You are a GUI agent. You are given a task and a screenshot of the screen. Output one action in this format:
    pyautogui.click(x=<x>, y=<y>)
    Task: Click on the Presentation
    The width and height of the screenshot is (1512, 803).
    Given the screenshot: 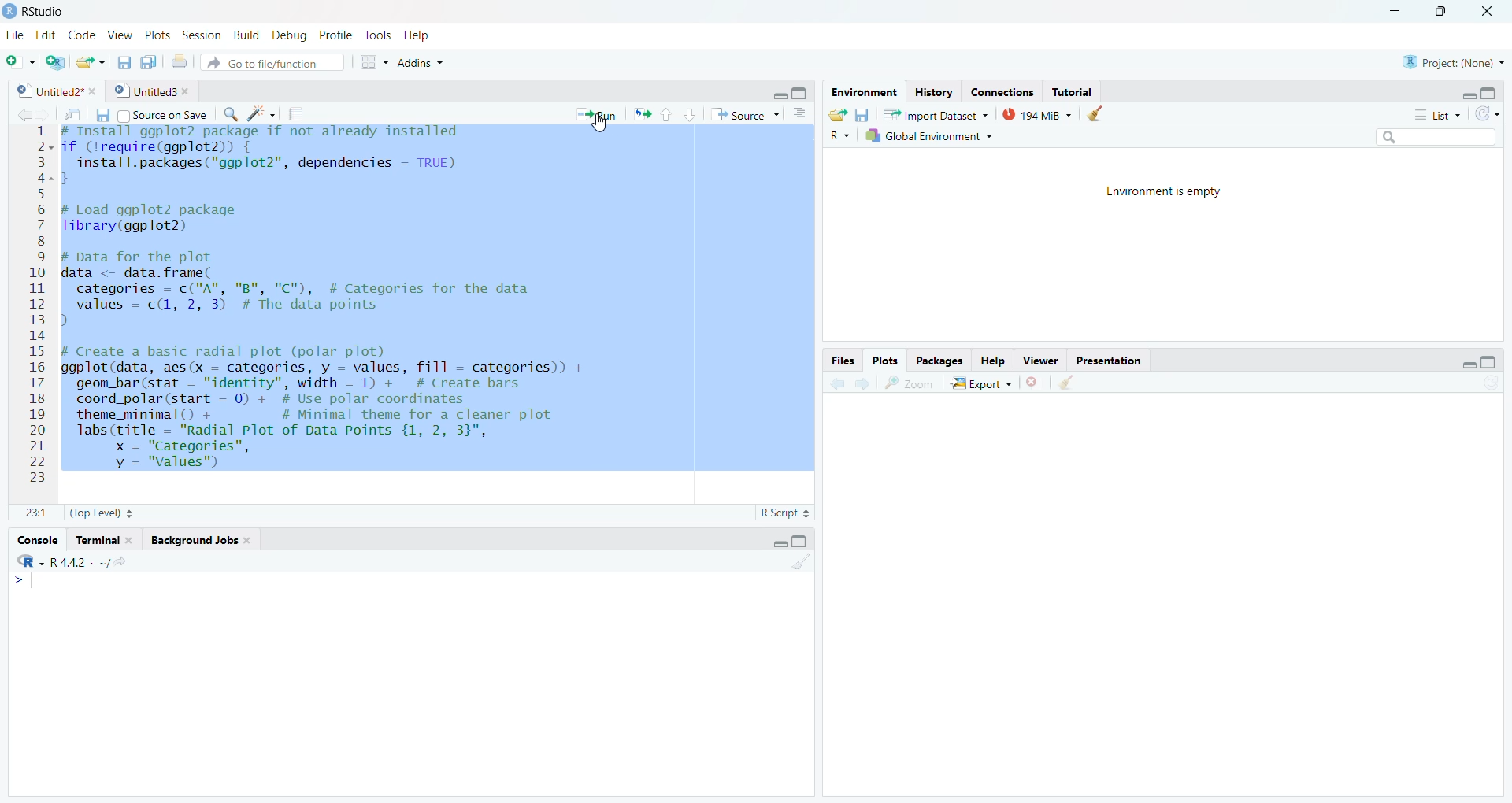 What is the action you would take?
    pyautogui.click(x=1110, y=359)
    